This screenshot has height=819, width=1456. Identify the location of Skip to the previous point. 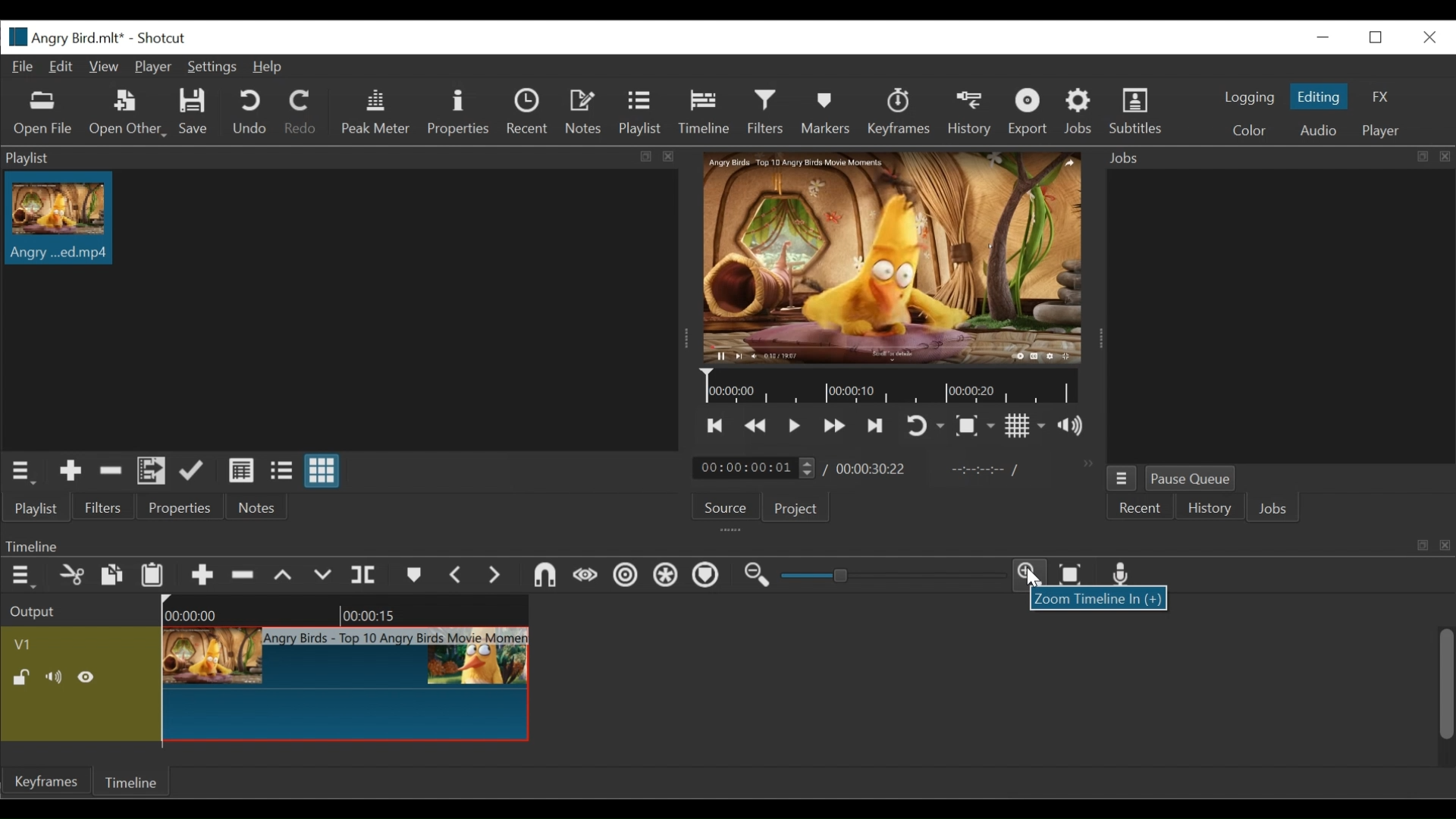
(717, 426).